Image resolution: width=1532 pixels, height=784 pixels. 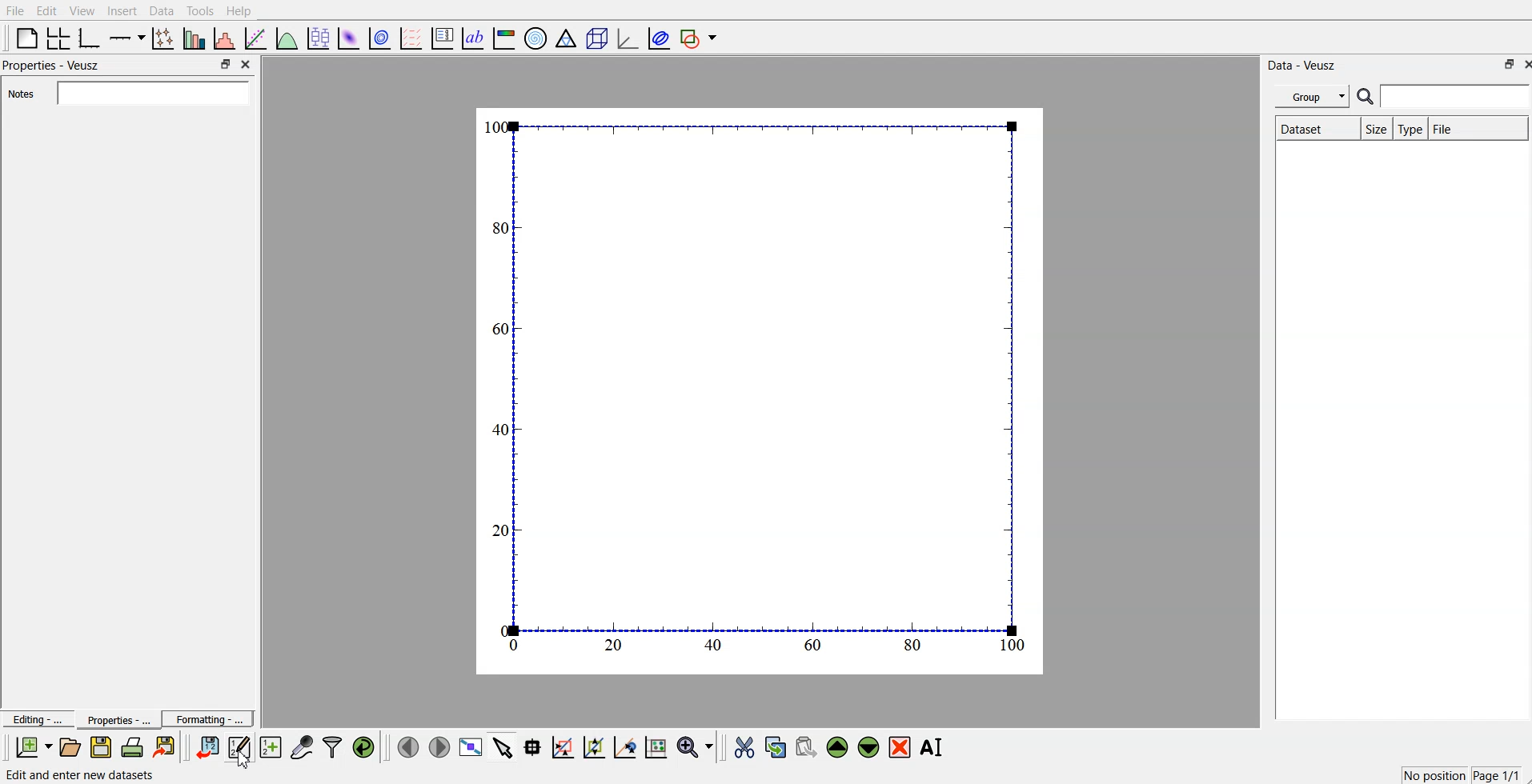 I want to click on plot a vector field, so click(x=413, y=38).